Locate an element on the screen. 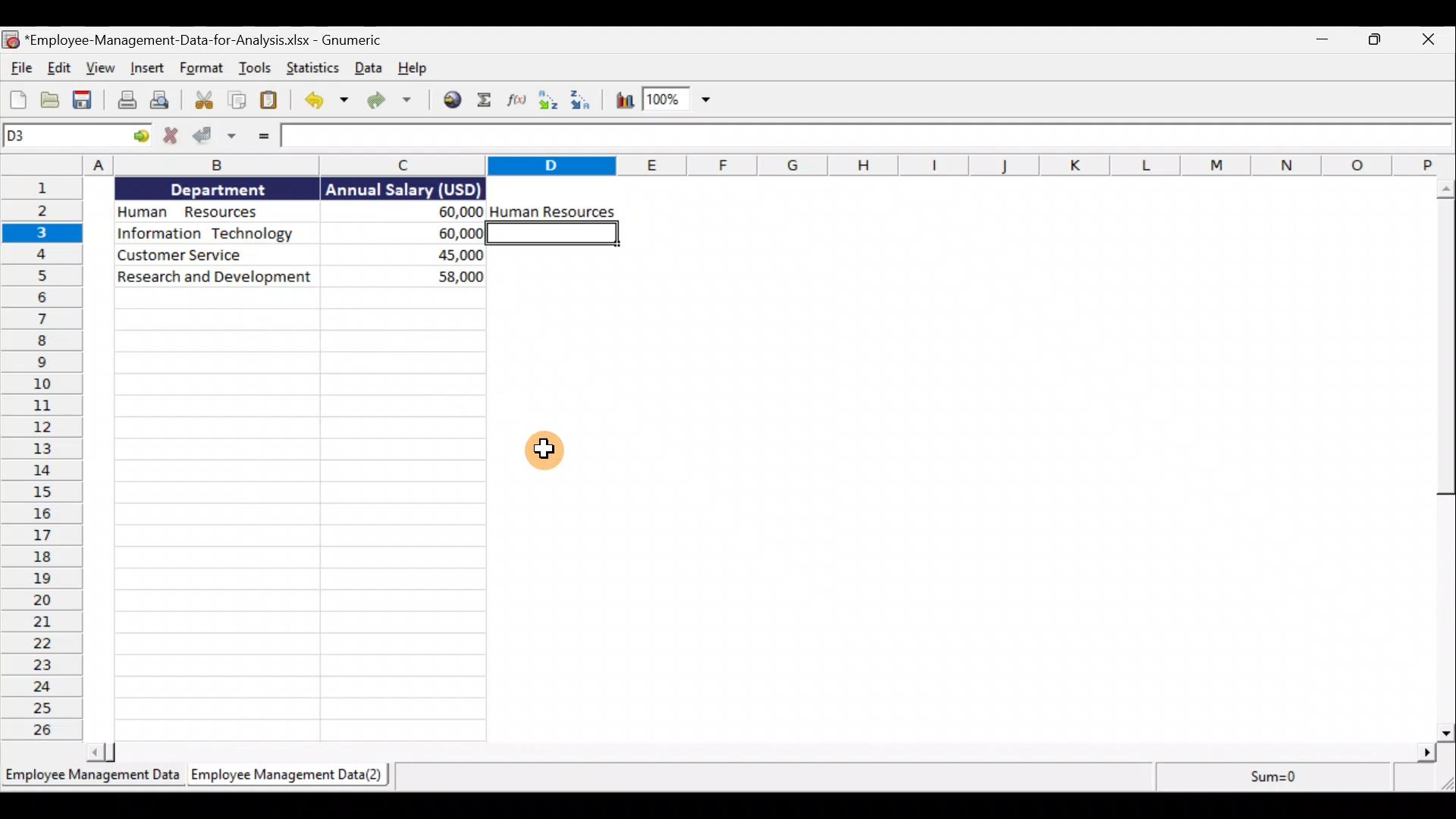  Sort descending is located at coordinates (586, 101).